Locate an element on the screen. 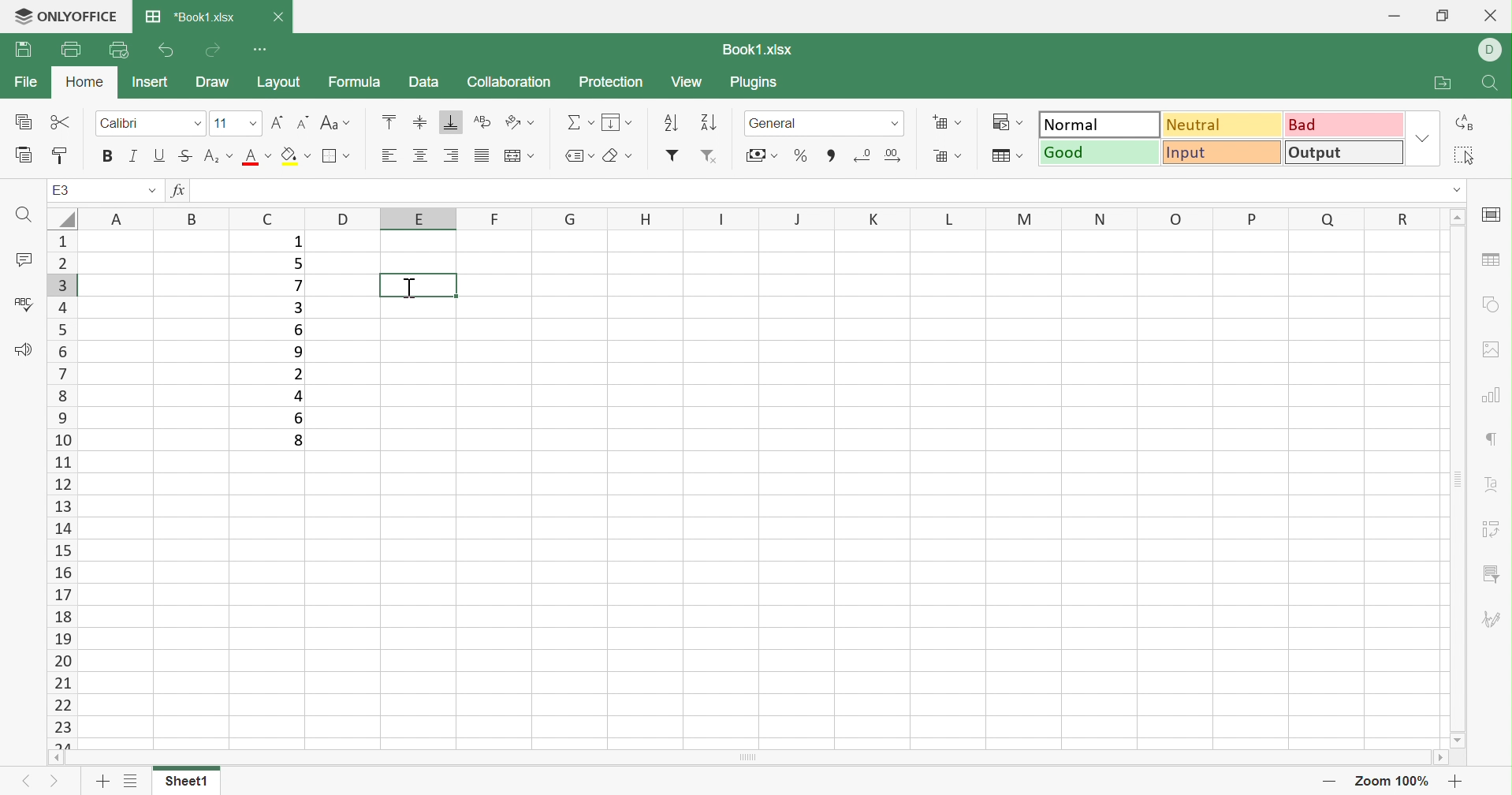 The image size is (1512, 795). Paste is located at coordinates (23, 155).